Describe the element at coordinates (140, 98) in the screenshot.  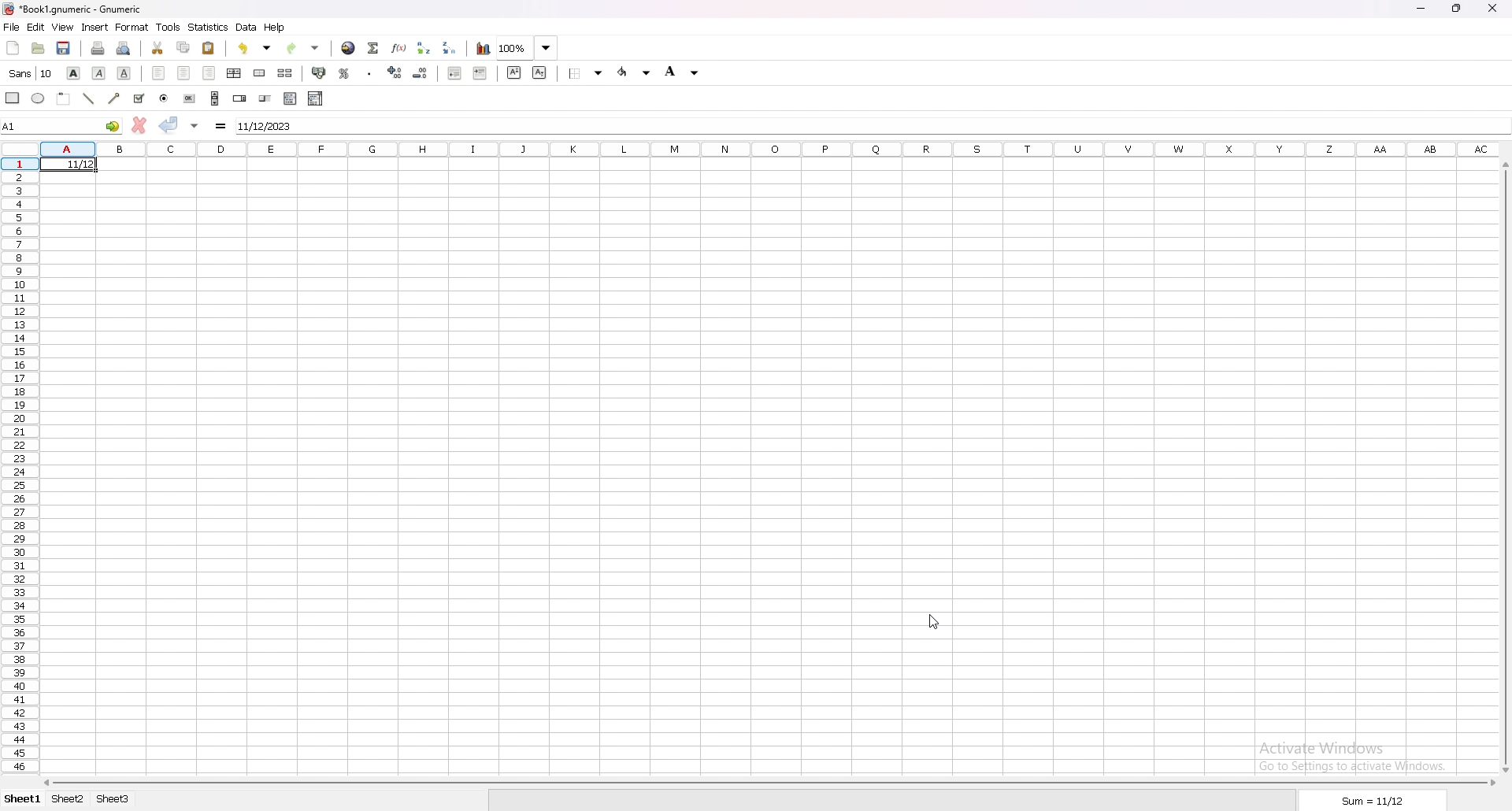
I see `tickbox` at that location.